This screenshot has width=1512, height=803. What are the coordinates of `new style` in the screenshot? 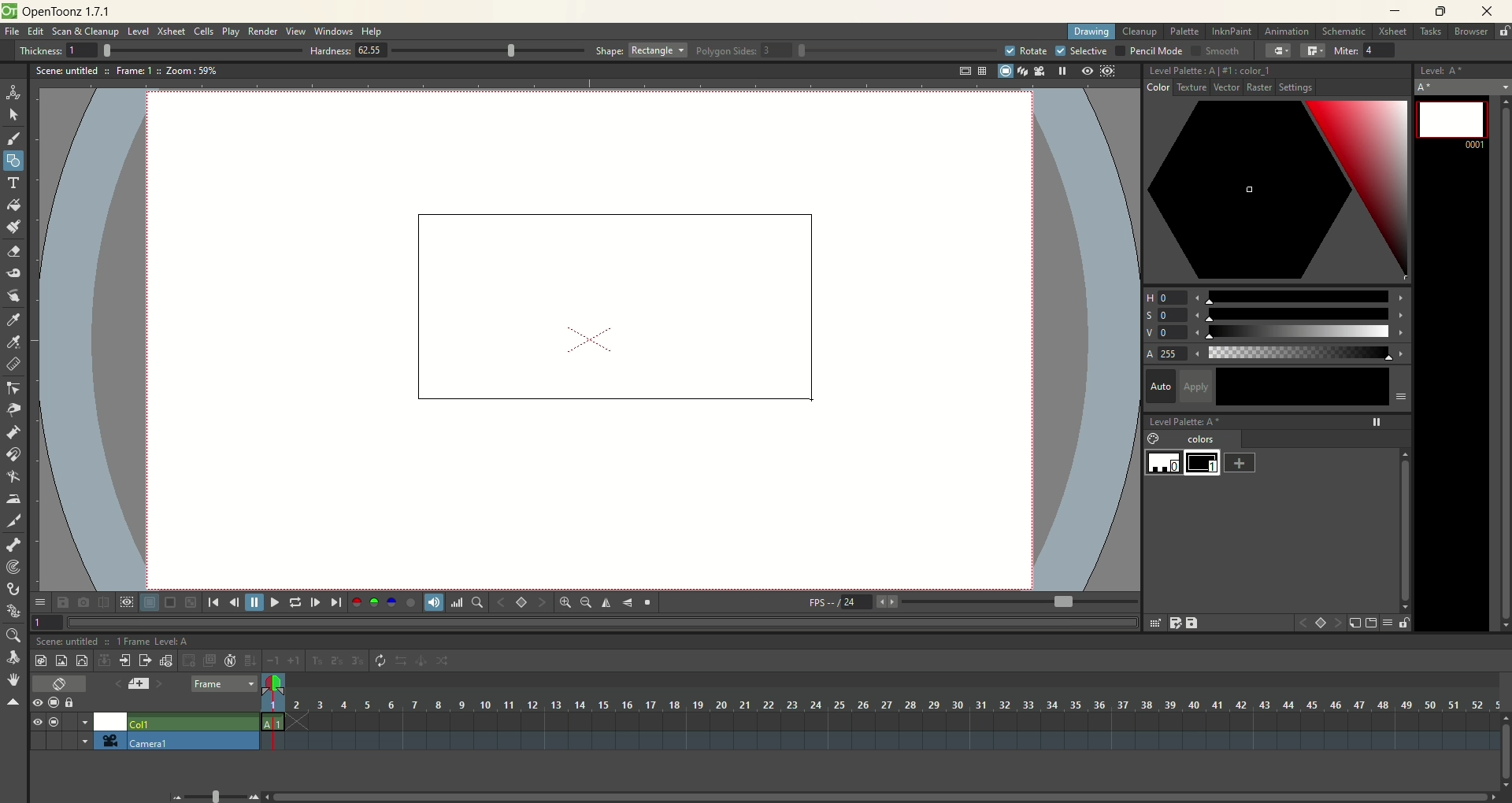 It's located at (1354, 624).